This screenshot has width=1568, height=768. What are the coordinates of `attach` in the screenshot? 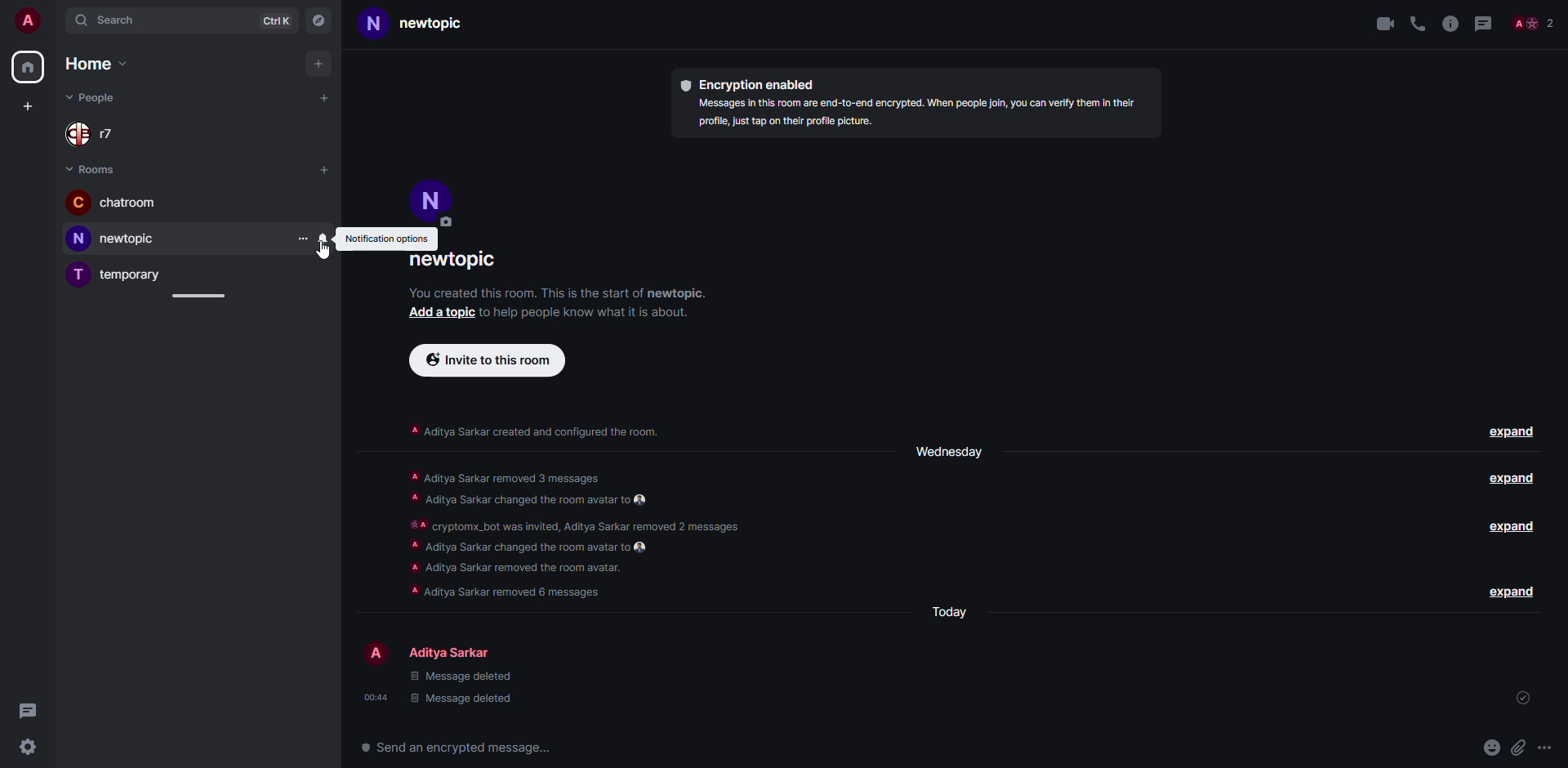 It's located at (1519, 748).